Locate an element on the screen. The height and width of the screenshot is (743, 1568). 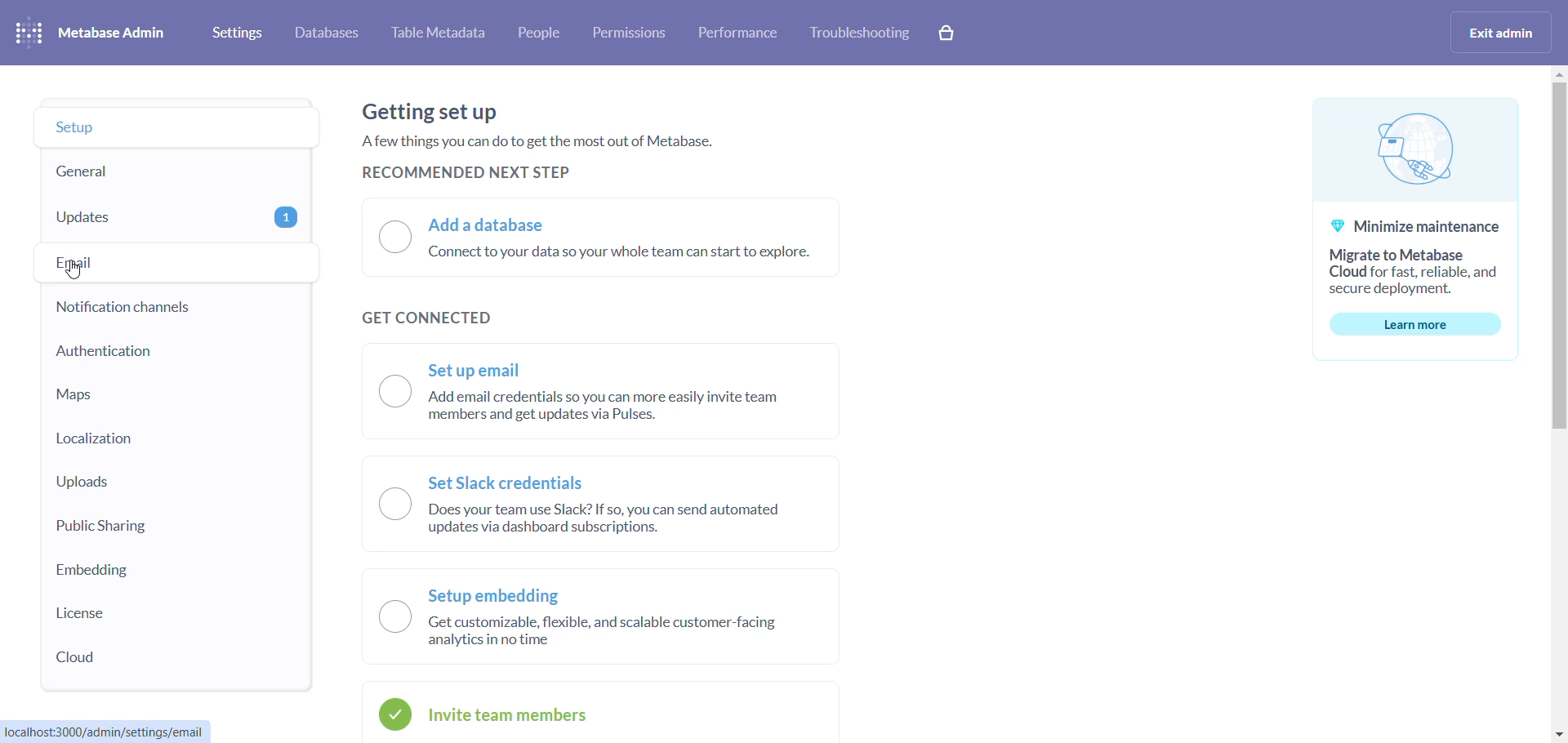
email is located at coordinates (160, 265).